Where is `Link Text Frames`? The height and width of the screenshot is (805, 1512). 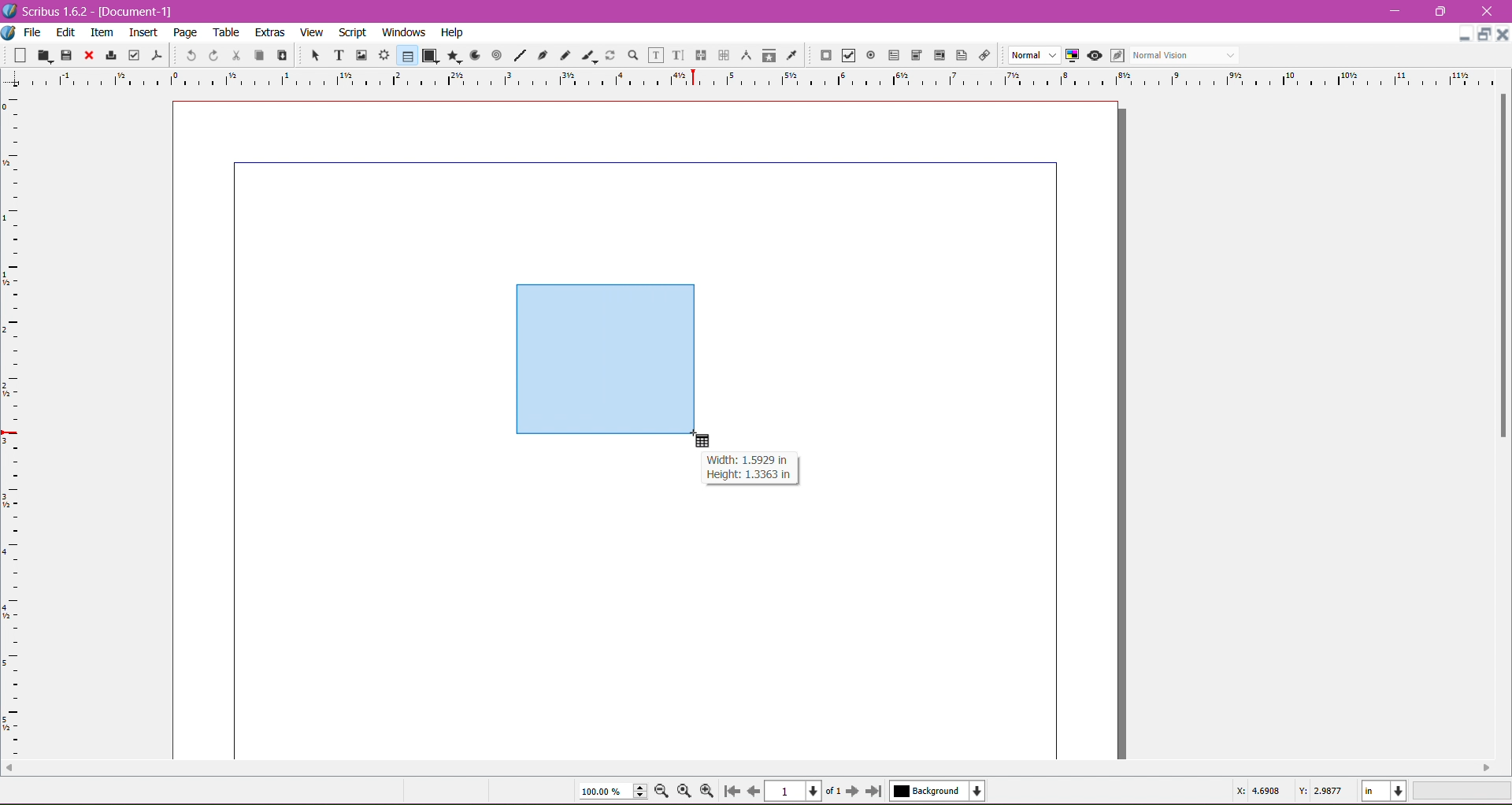
Link Text Frames is located at coordinates (699, 55).